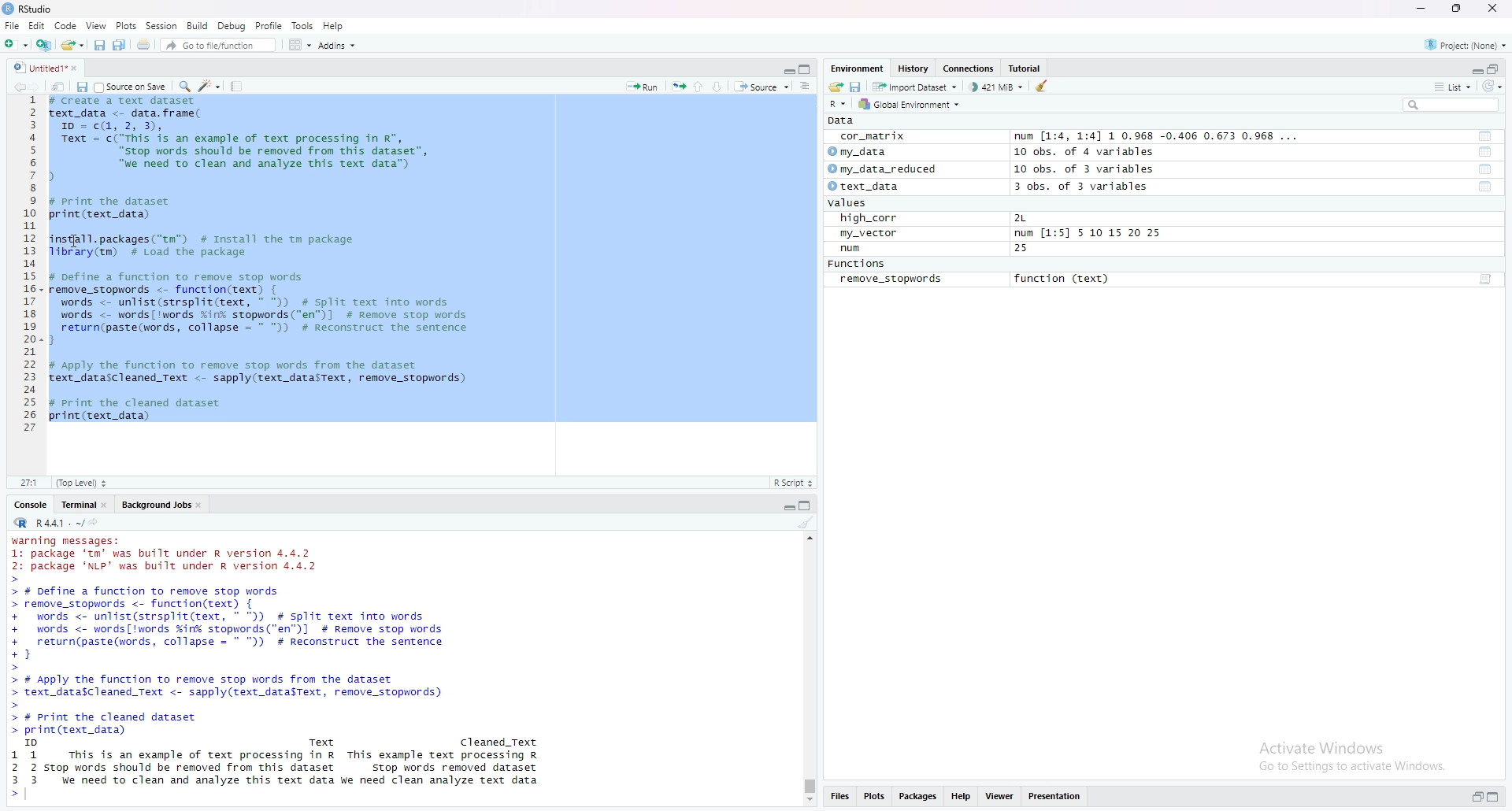 The height and width of the screenshot is (811, 1512). What do you see at coordinates (847, 249) in the screenshot?
I see `run` at bounding box center [847, 249].